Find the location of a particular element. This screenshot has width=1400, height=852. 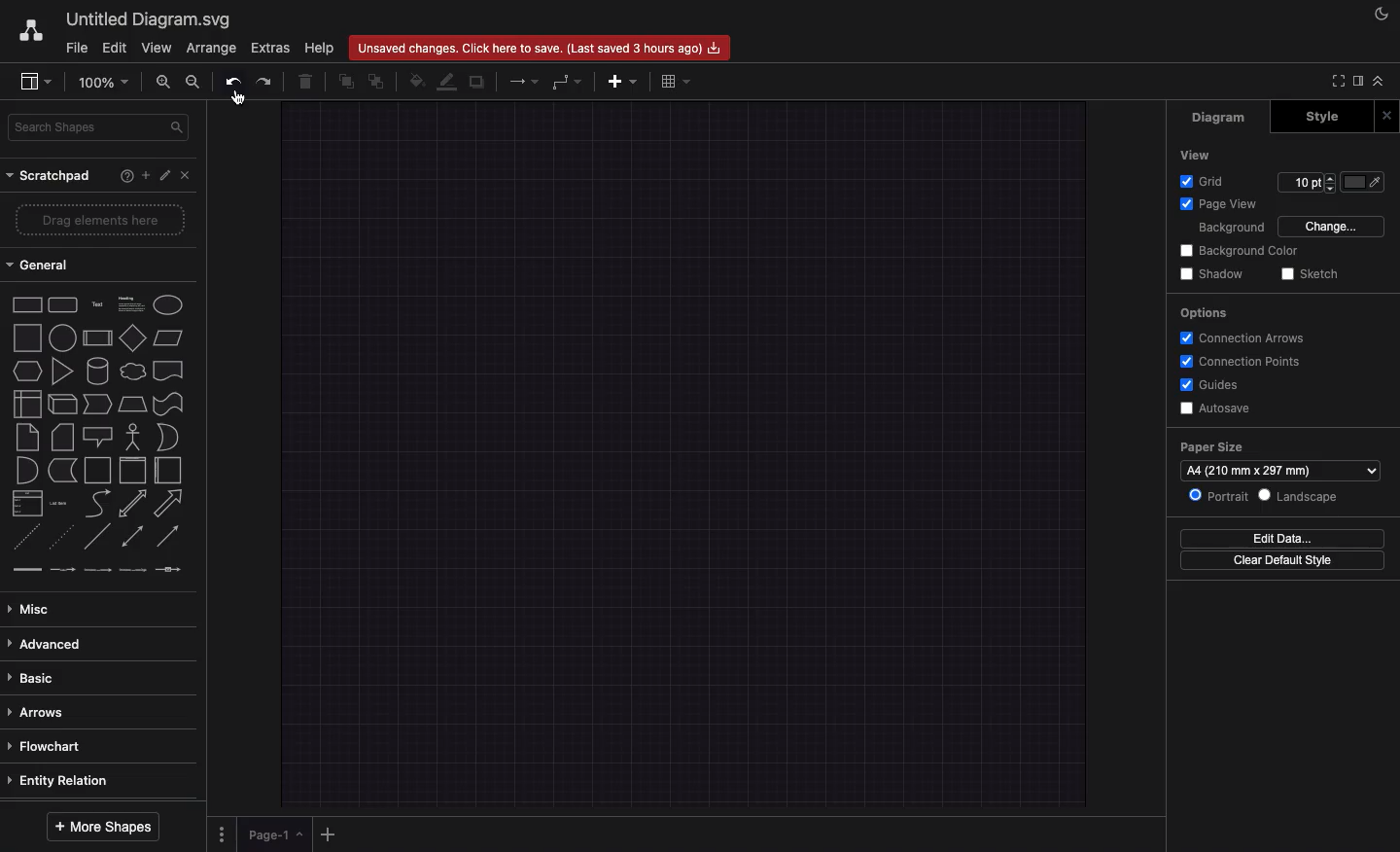

Unsaved changes. Click here to save. (Last saved 3 hours ago) is located at coordinates (538, 49).